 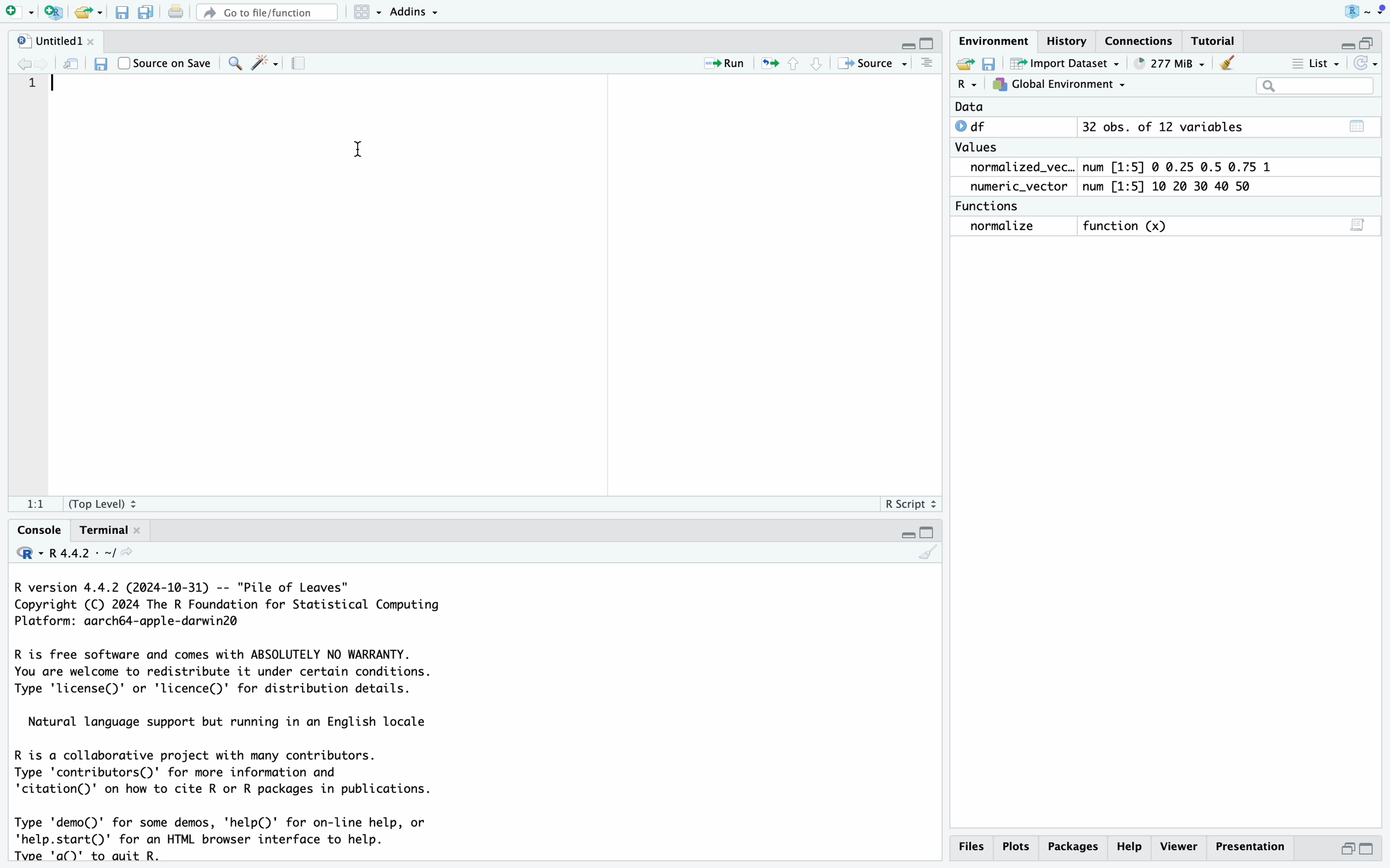 I want to click on Run, so click(x=716, y=61).